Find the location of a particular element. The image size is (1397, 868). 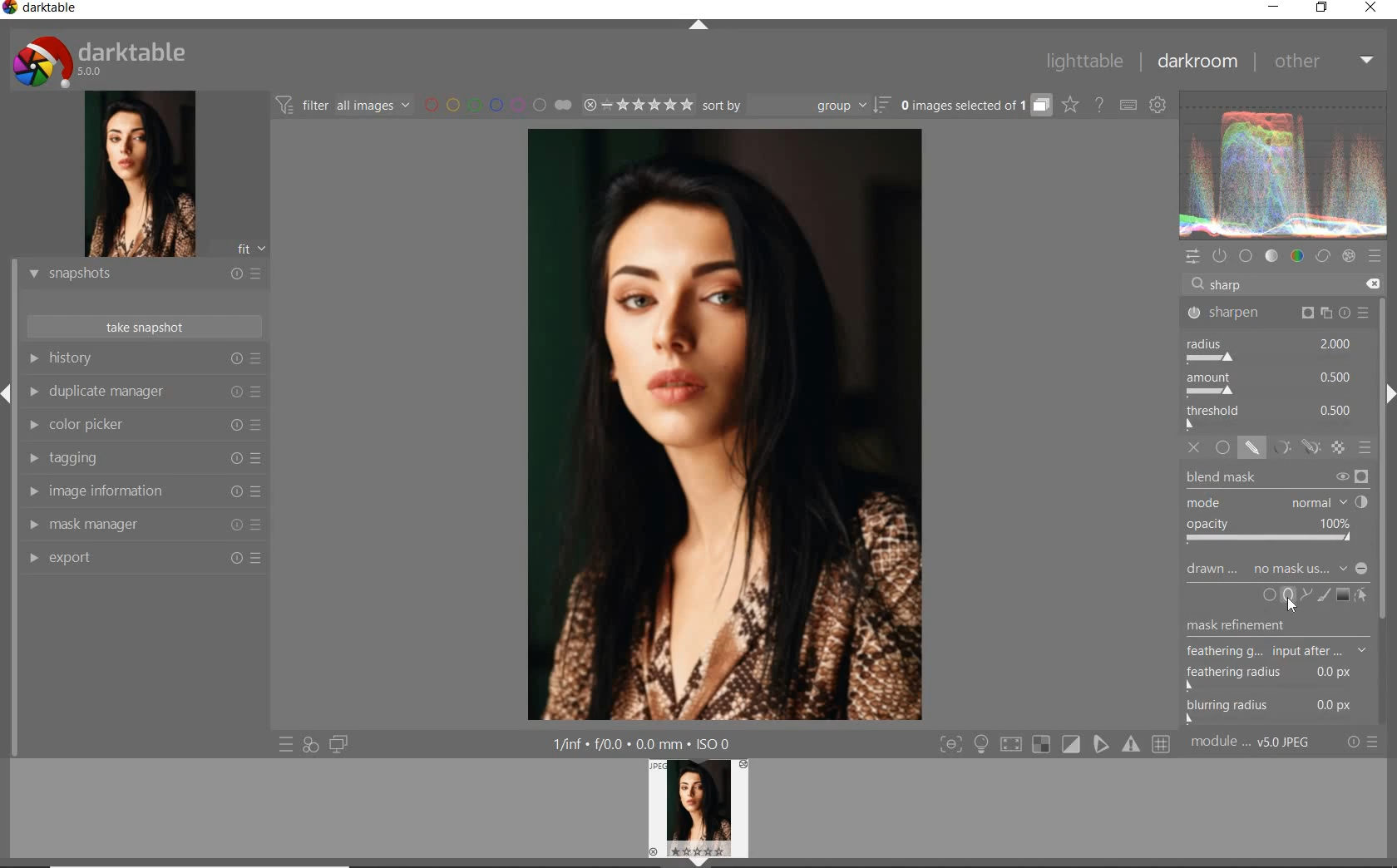

blend mask options is located at coordinates (1276, 509).